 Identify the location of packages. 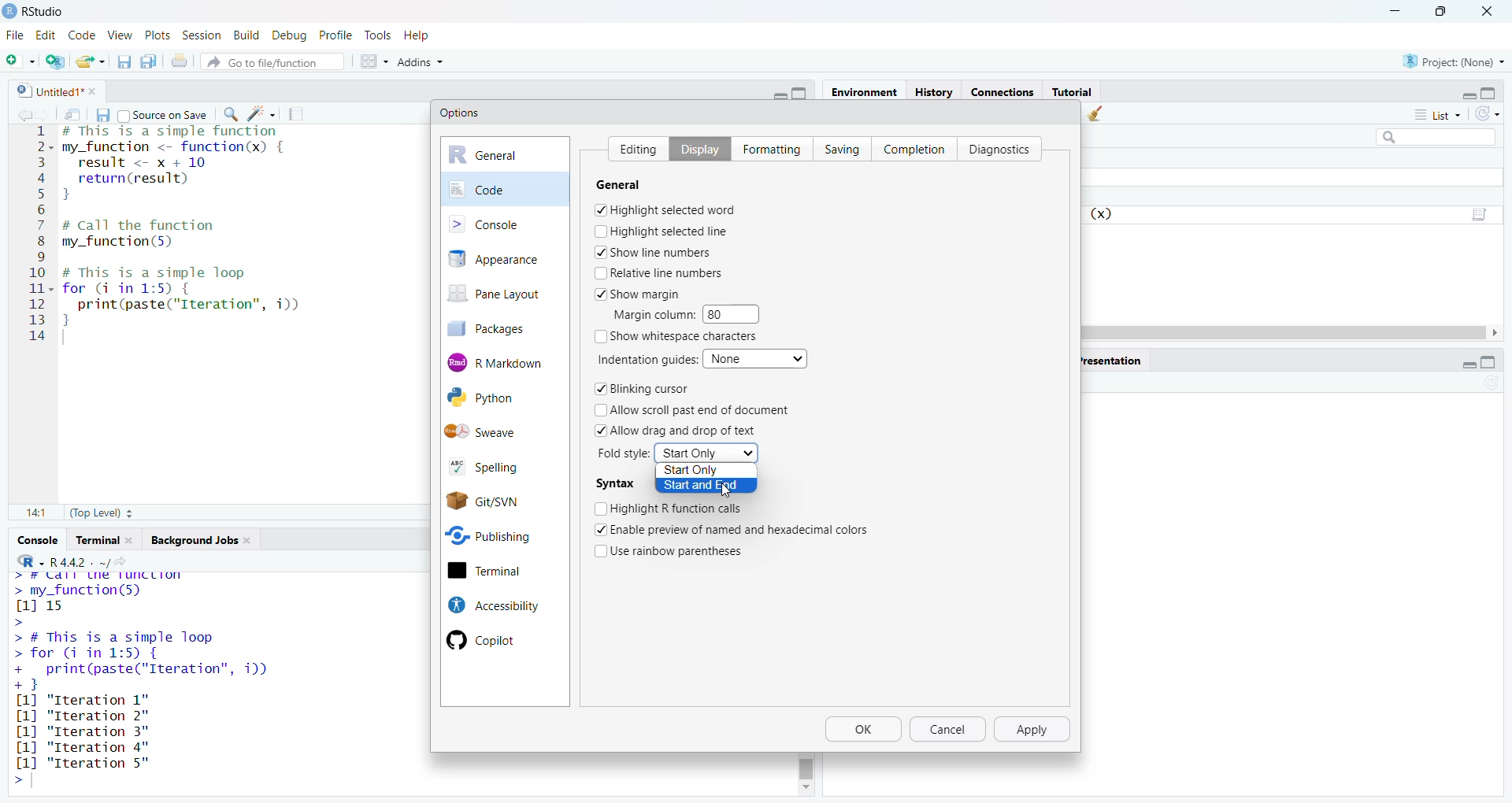
(498, 328).